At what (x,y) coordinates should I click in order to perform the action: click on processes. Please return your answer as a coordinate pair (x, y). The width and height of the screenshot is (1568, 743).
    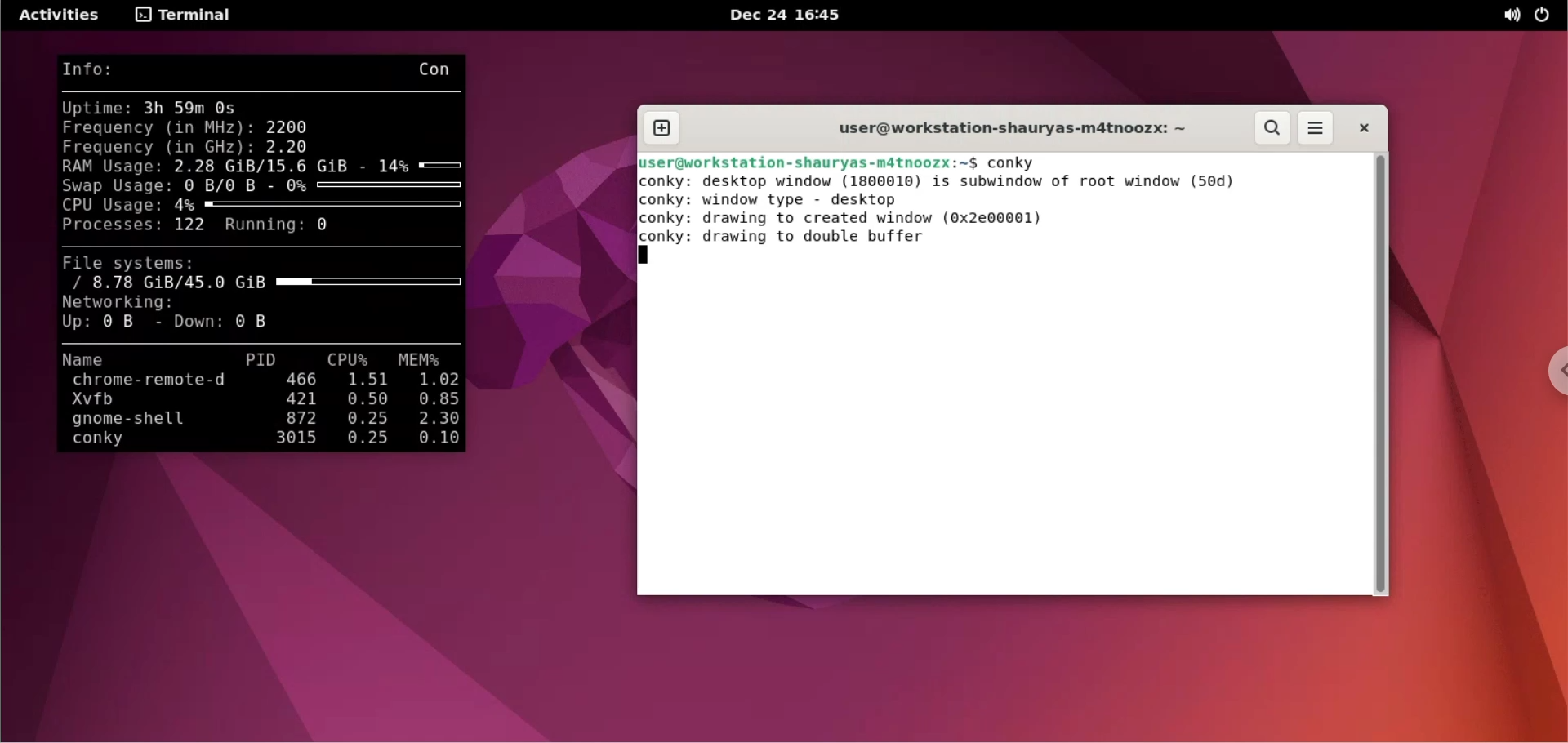
    Looking at the image, I should click on (107, 225).